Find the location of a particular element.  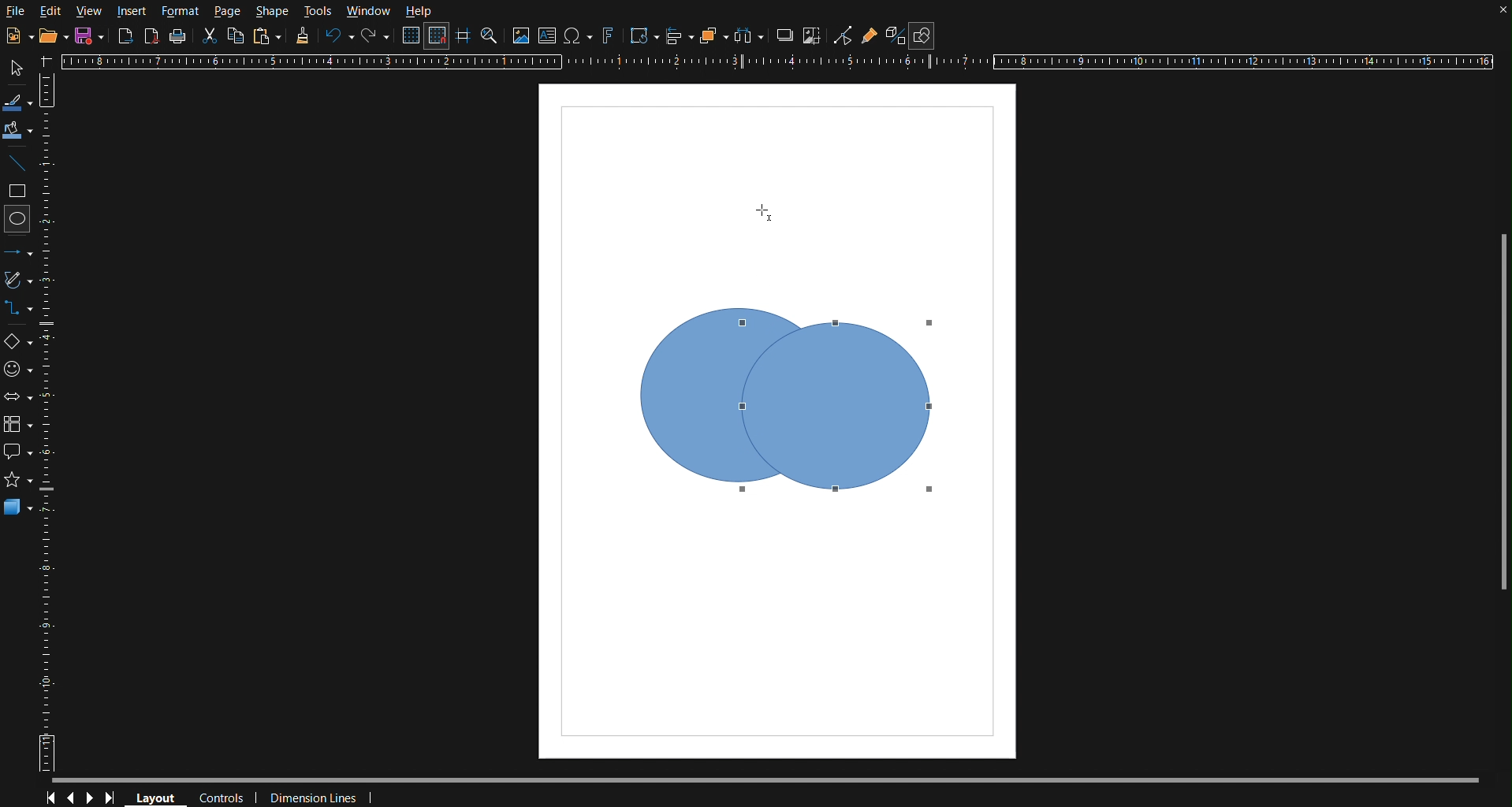

Insert Image is located at coordinates (522, 35).